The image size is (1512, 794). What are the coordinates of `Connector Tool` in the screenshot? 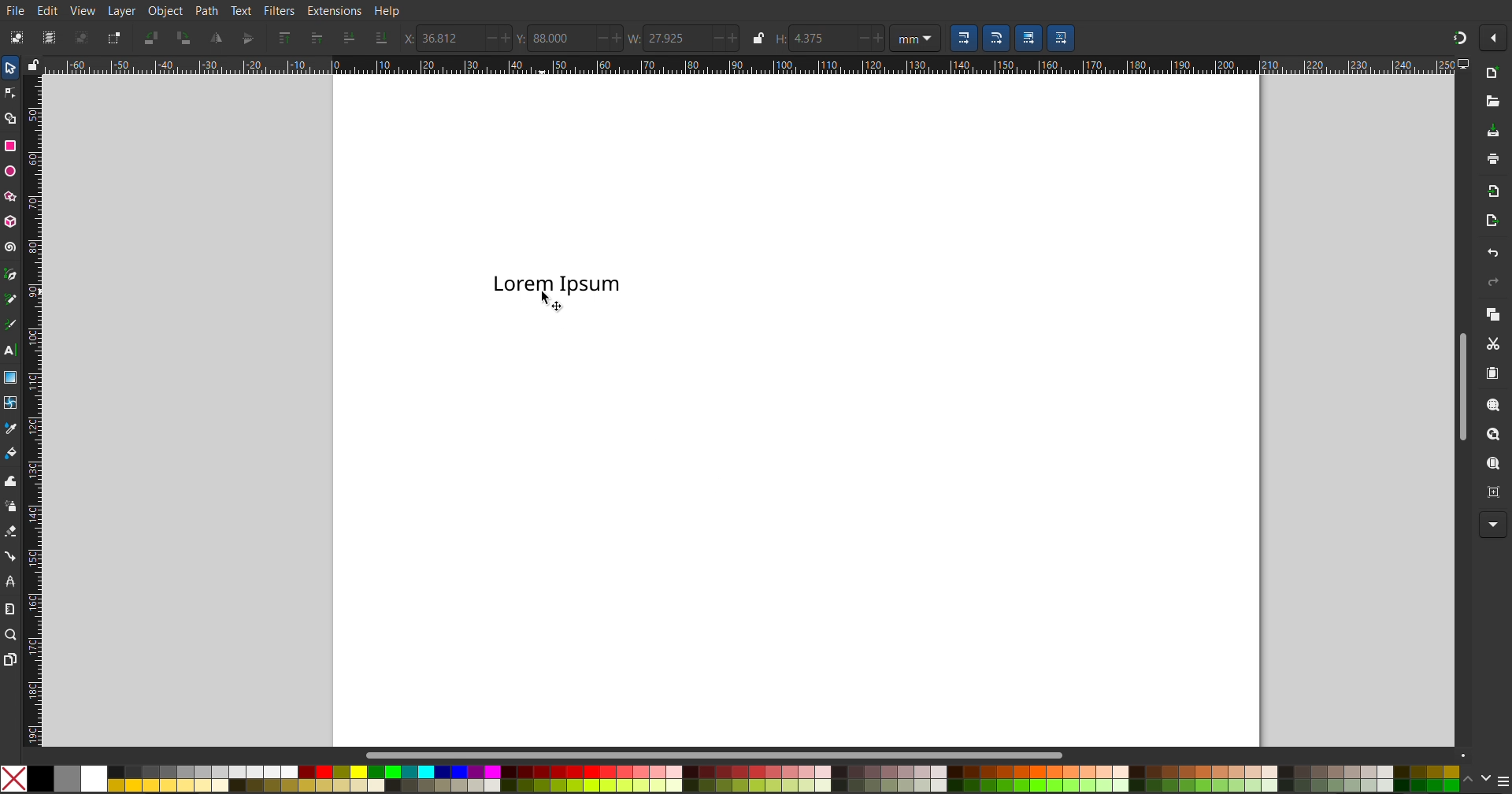 It's located at (11, 555).